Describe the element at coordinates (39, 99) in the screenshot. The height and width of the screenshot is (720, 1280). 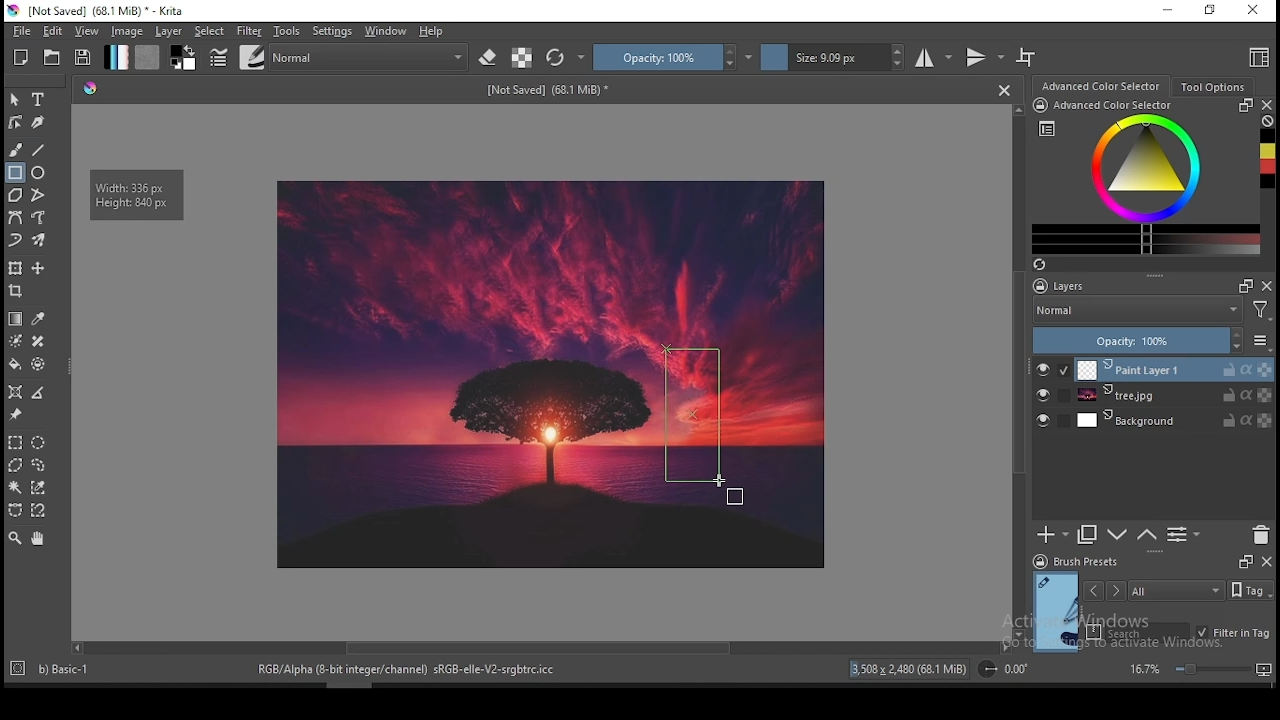
I see `text tool` at that location.